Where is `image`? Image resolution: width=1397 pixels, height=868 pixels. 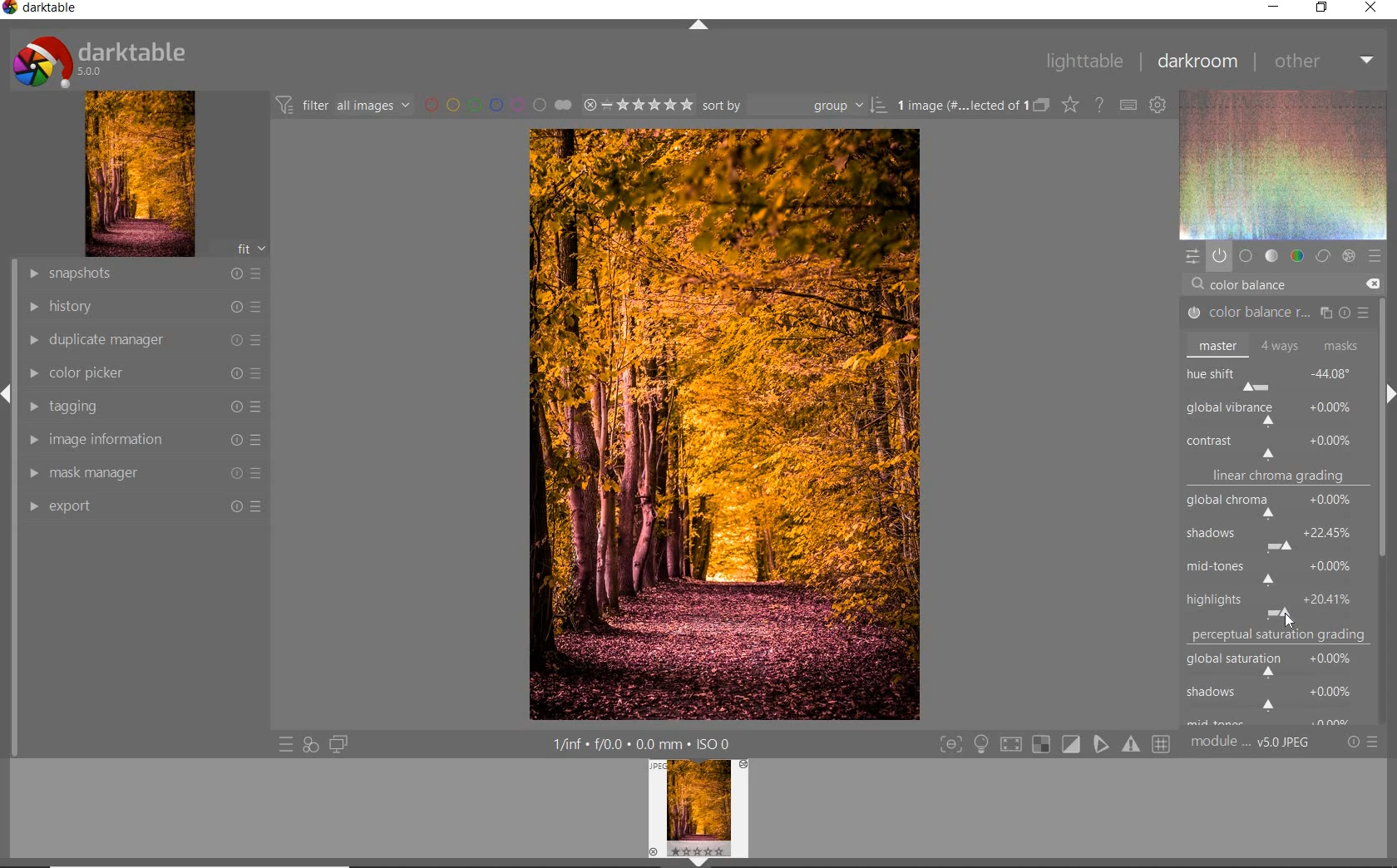 image is located at coordinates (141, 174).